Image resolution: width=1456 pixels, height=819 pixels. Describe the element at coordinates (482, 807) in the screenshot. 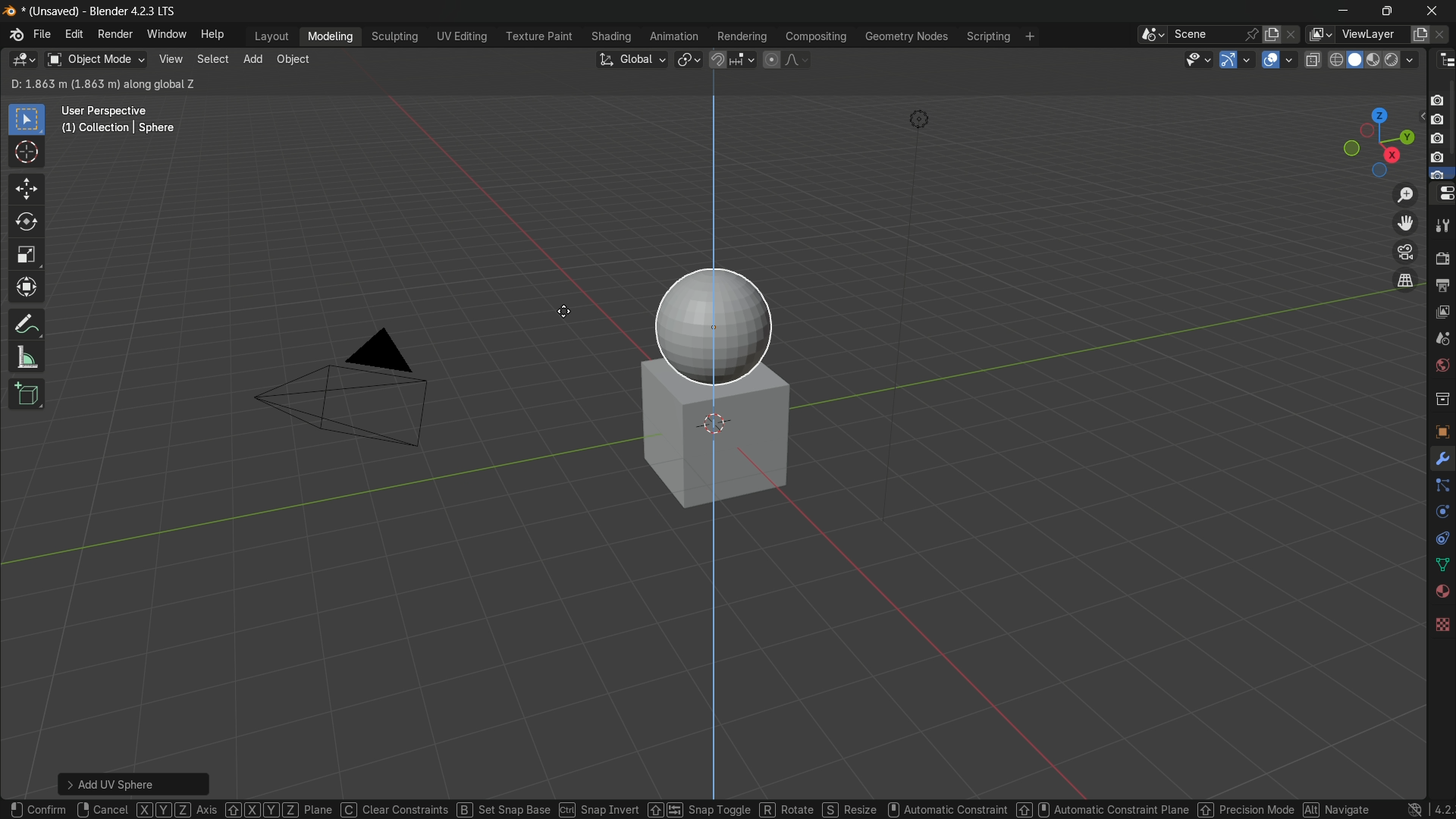

I see `Snap Invert` at that location.